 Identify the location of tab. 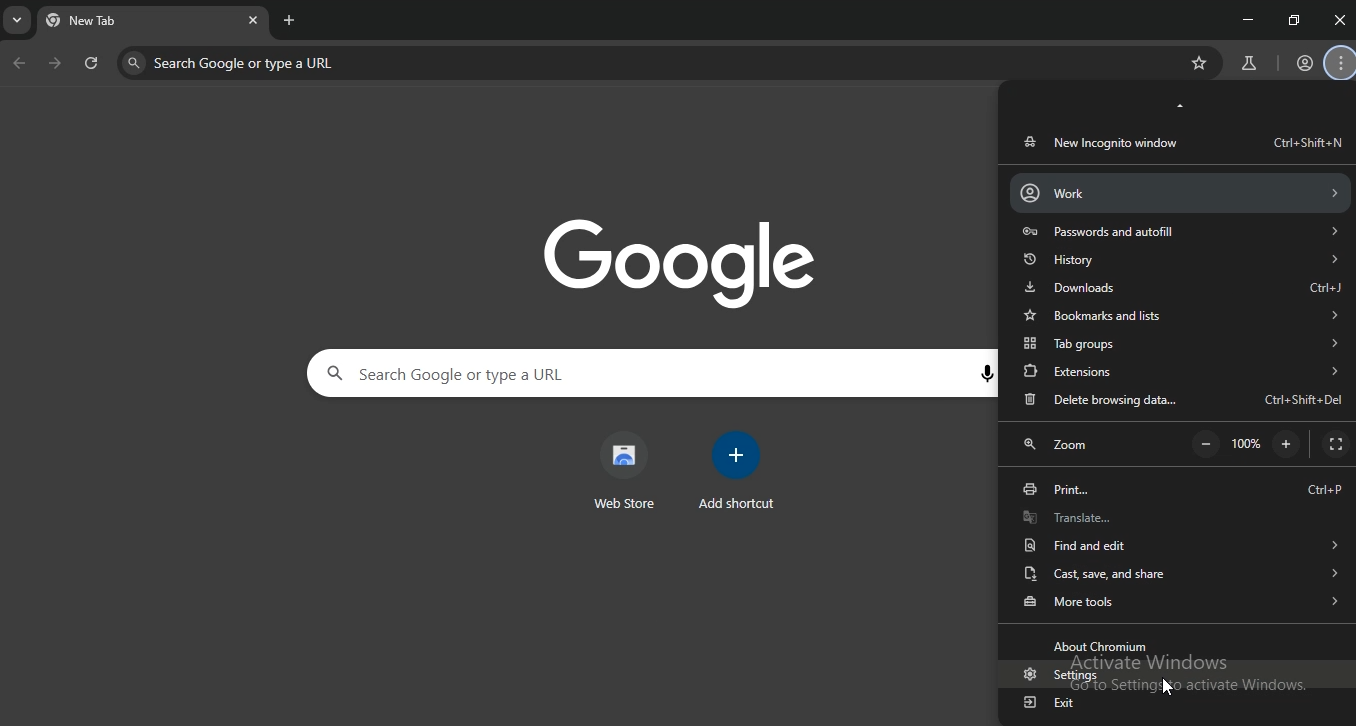
(113, 23).